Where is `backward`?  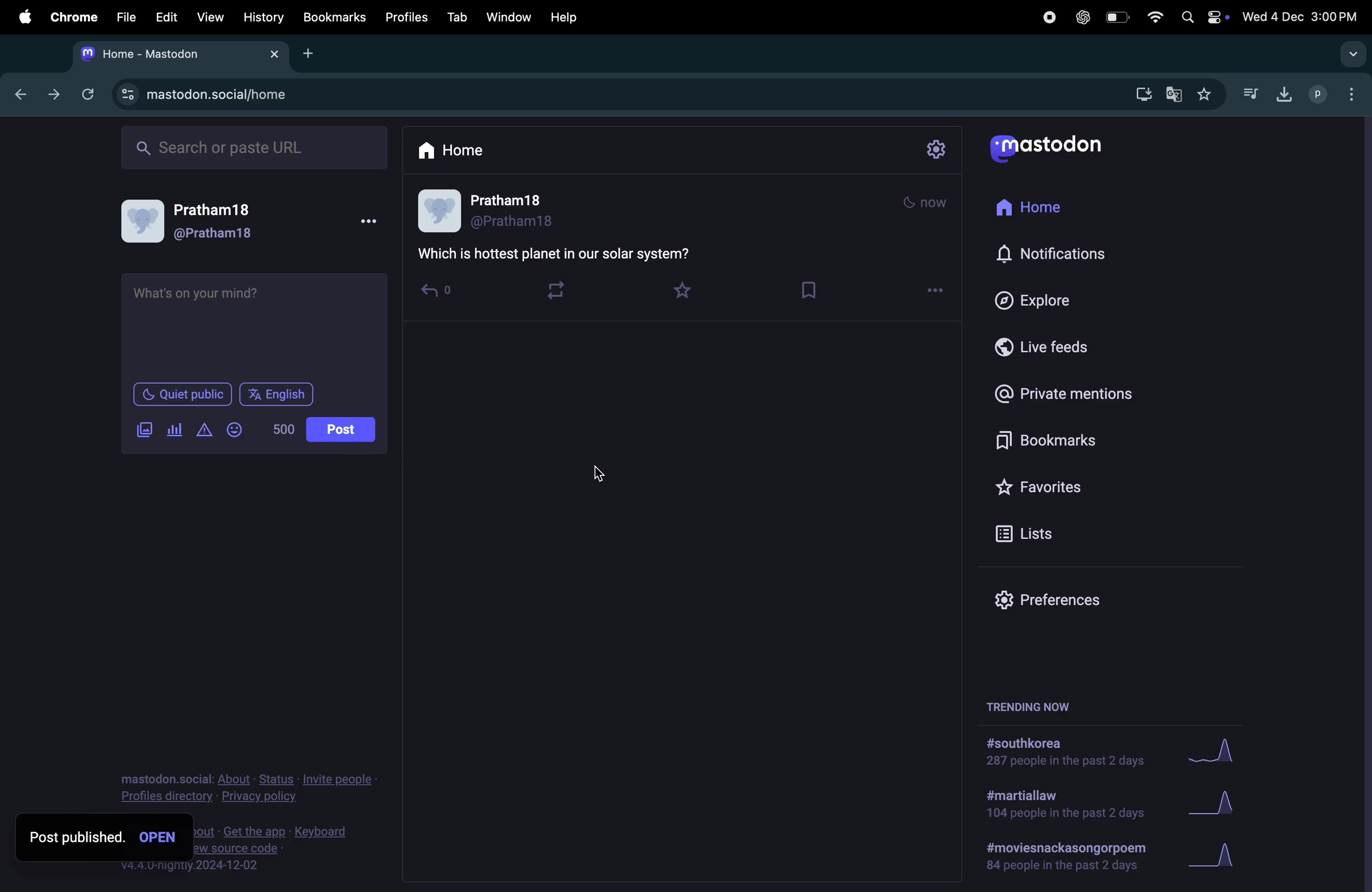 backward is located at coordinates (17, 95).